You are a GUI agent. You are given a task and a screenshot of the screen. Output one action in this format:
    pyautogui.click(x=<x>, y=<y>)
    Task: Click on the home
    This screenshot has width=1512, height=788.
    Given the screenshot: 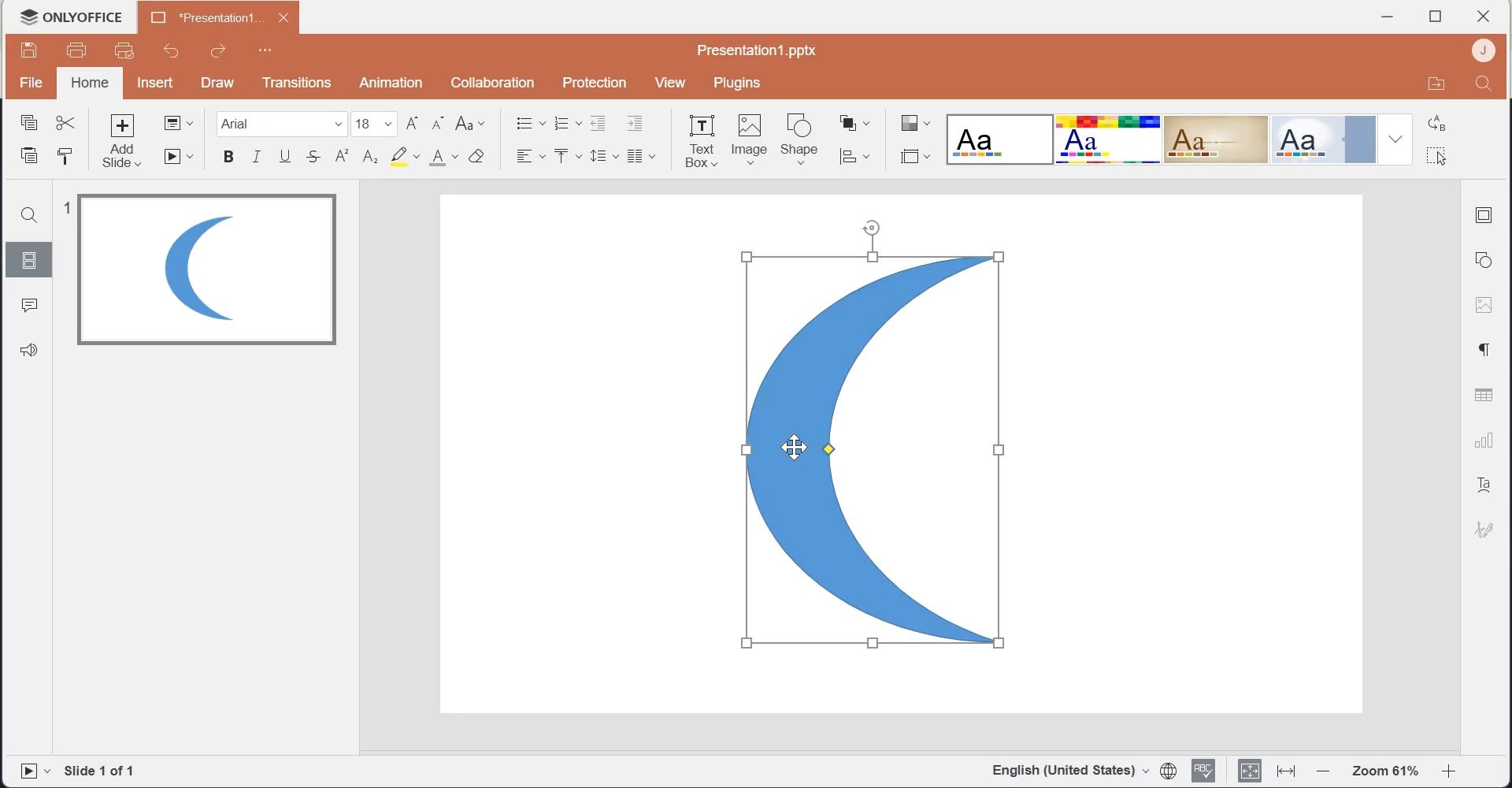 What is the action you would take?
    pyautogui.click(x=89, y=84)
    